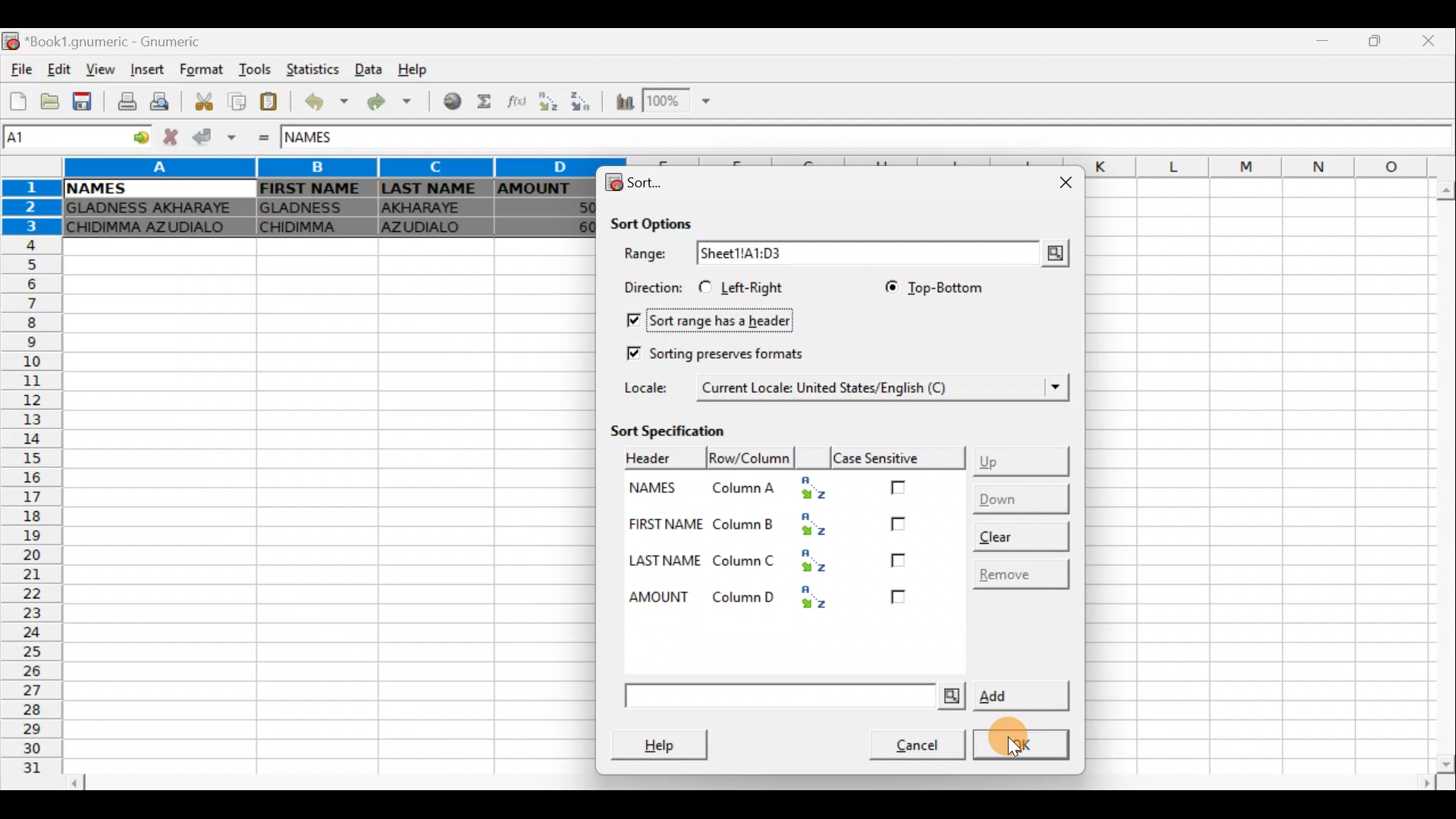 The height and width of the screenshot is (819, 1456). What do you see at coordinates (1024, 458) in the screenshot?
I see `Up` at bounding box center [1024, 458].